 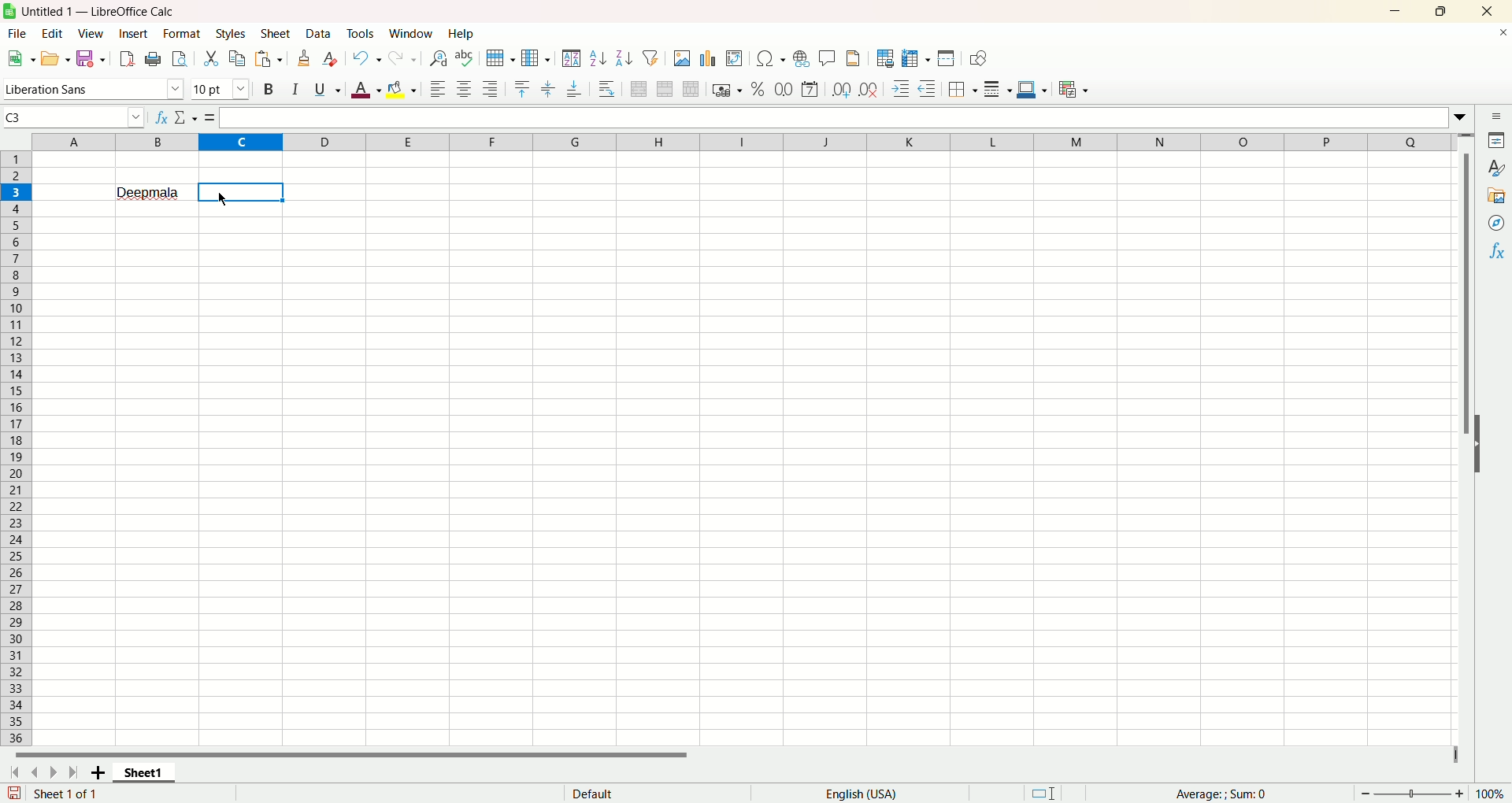 What do you see at coordinates (1469, 439) in the screenshot?
I see `vertical scroll bar` at bounding box center [1469, 439].